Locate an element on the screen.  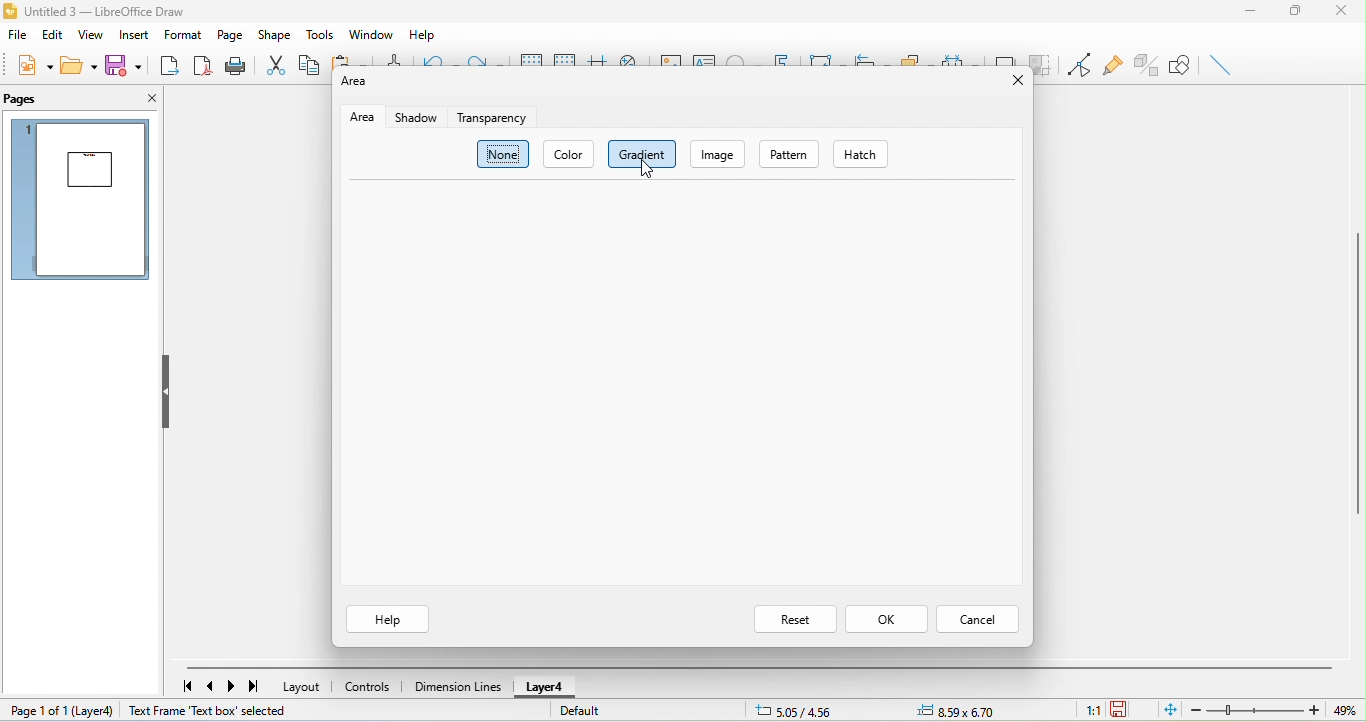
text frame text box selected is located at coordinates (210, 710).